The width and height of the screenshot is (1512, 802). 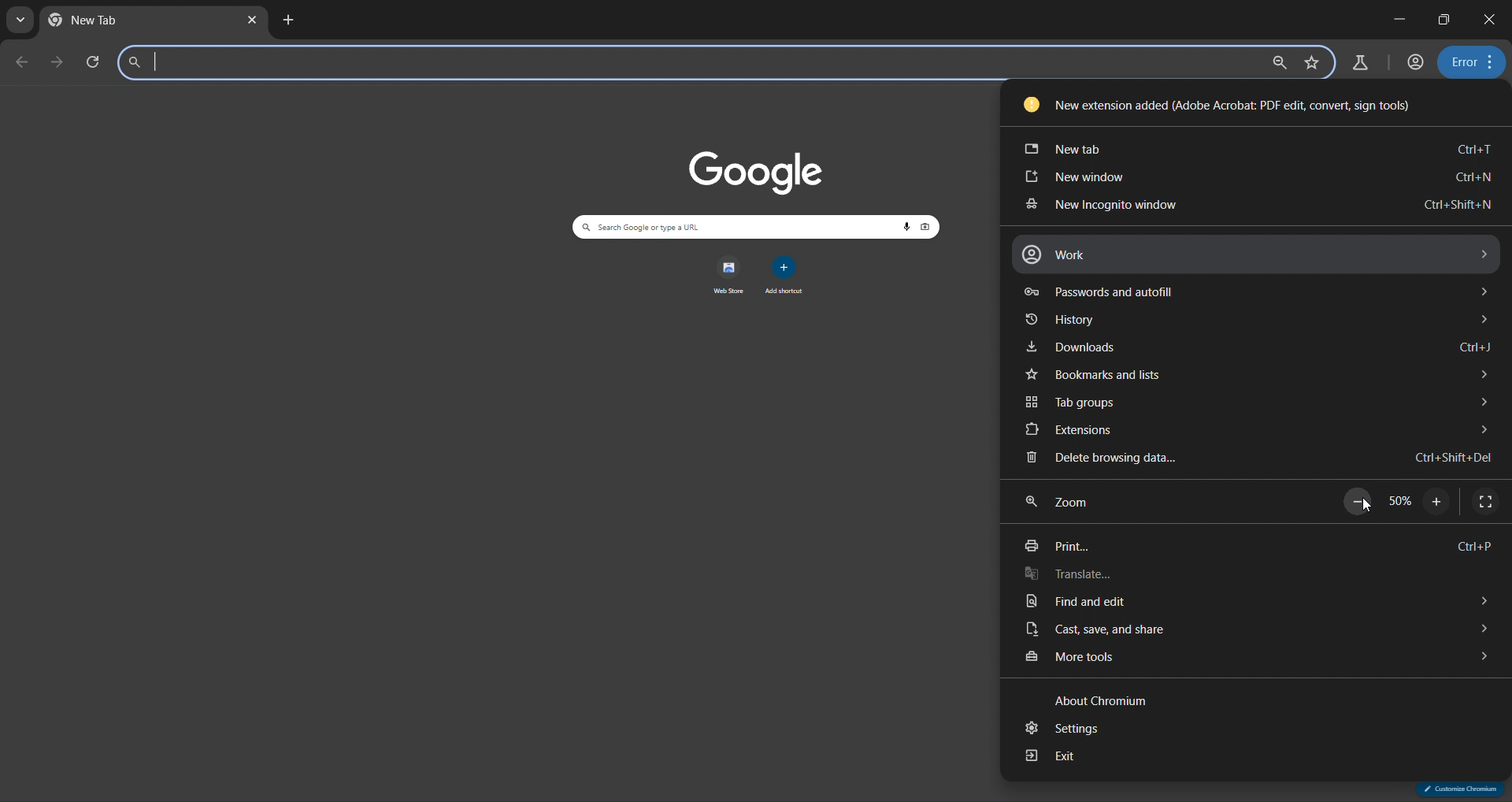 I want to click on about chromium, so click(x=1102, y=702).